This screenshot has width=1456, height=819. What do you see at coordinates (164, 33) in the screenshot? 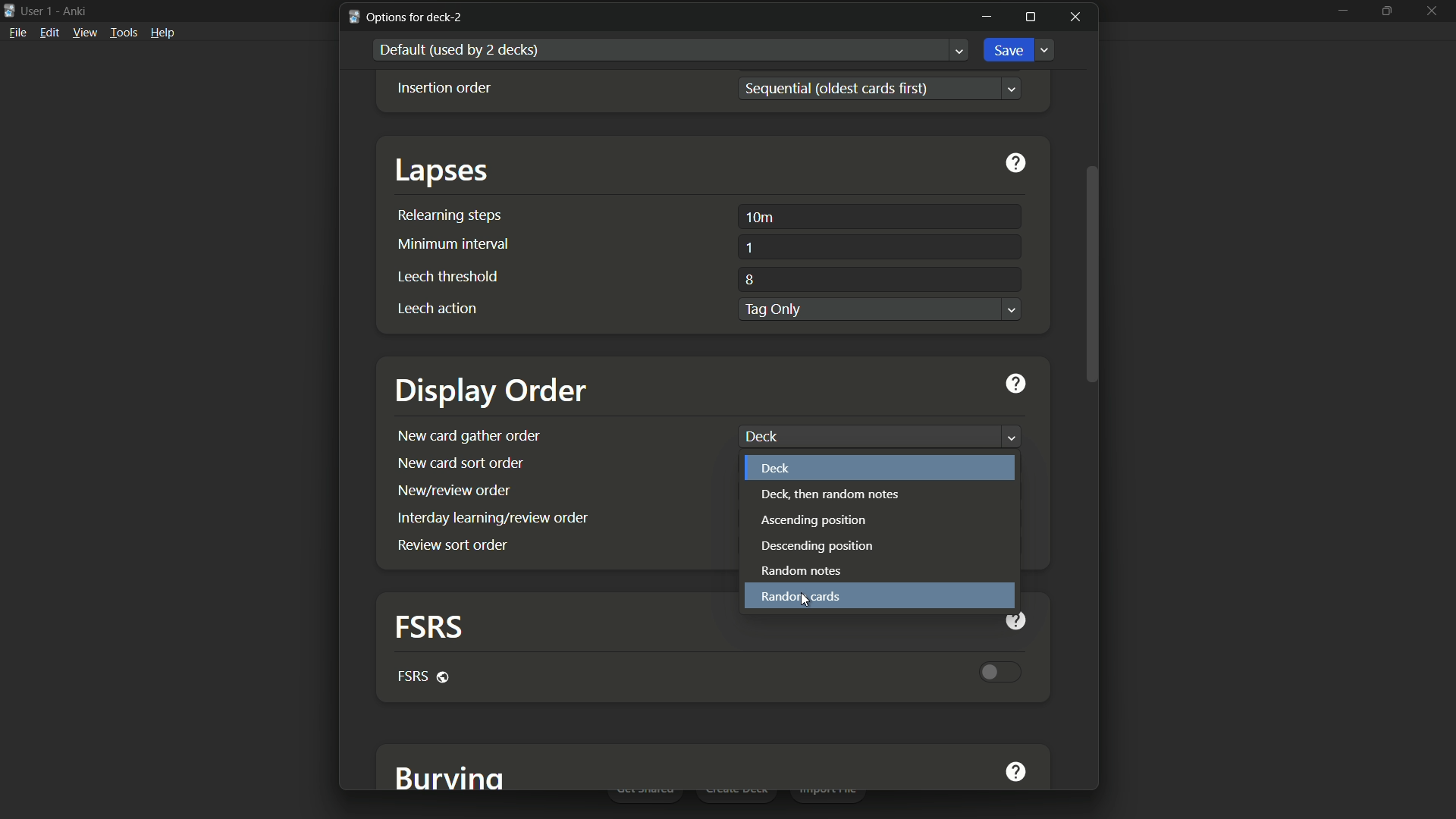
I see `help menu` at bounding box center [164, 33].